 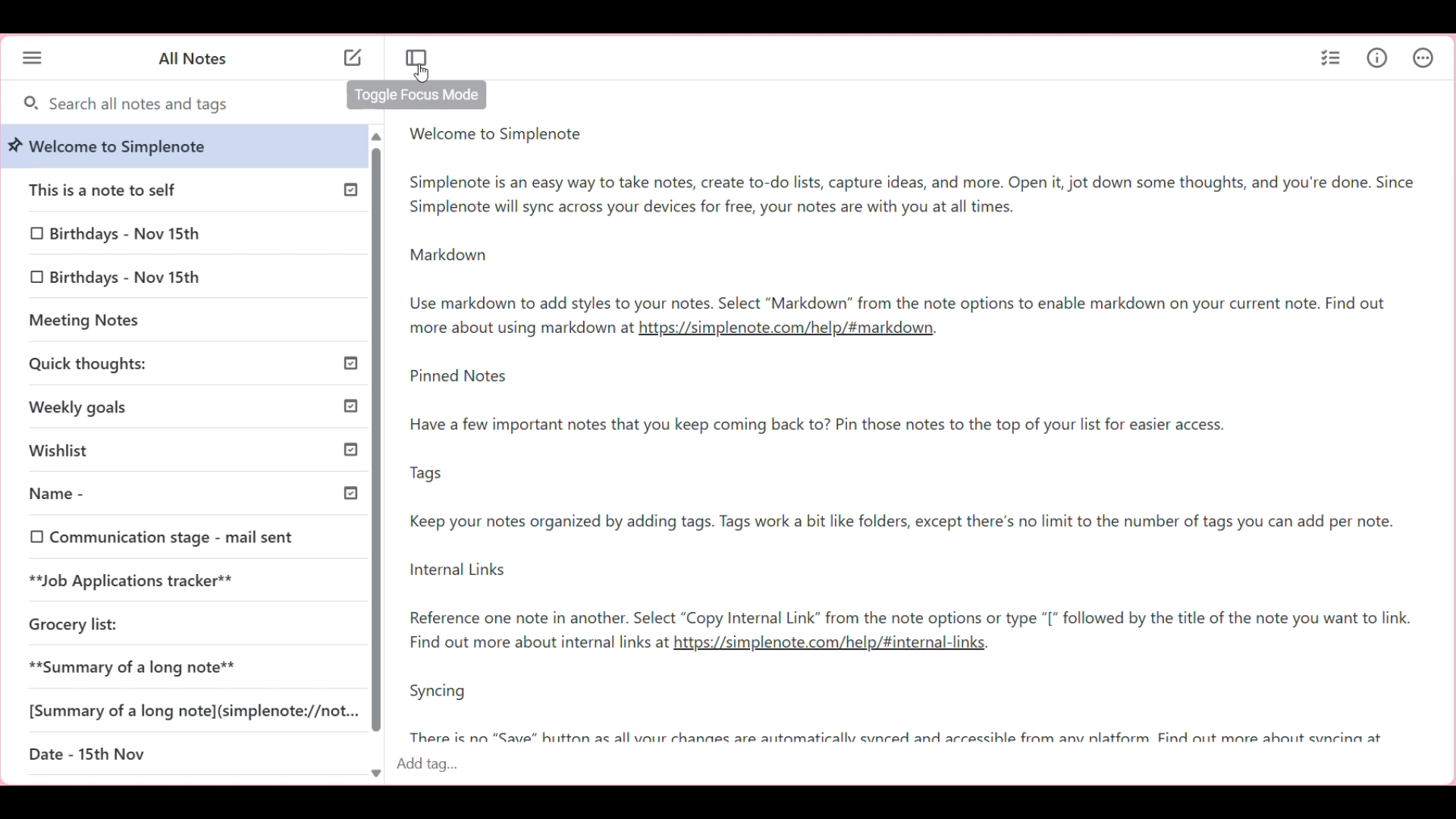 What do you see at coordinates (165, 409) in the screenshot?
I see `Weekly goals` at bounding box center [165, 409].